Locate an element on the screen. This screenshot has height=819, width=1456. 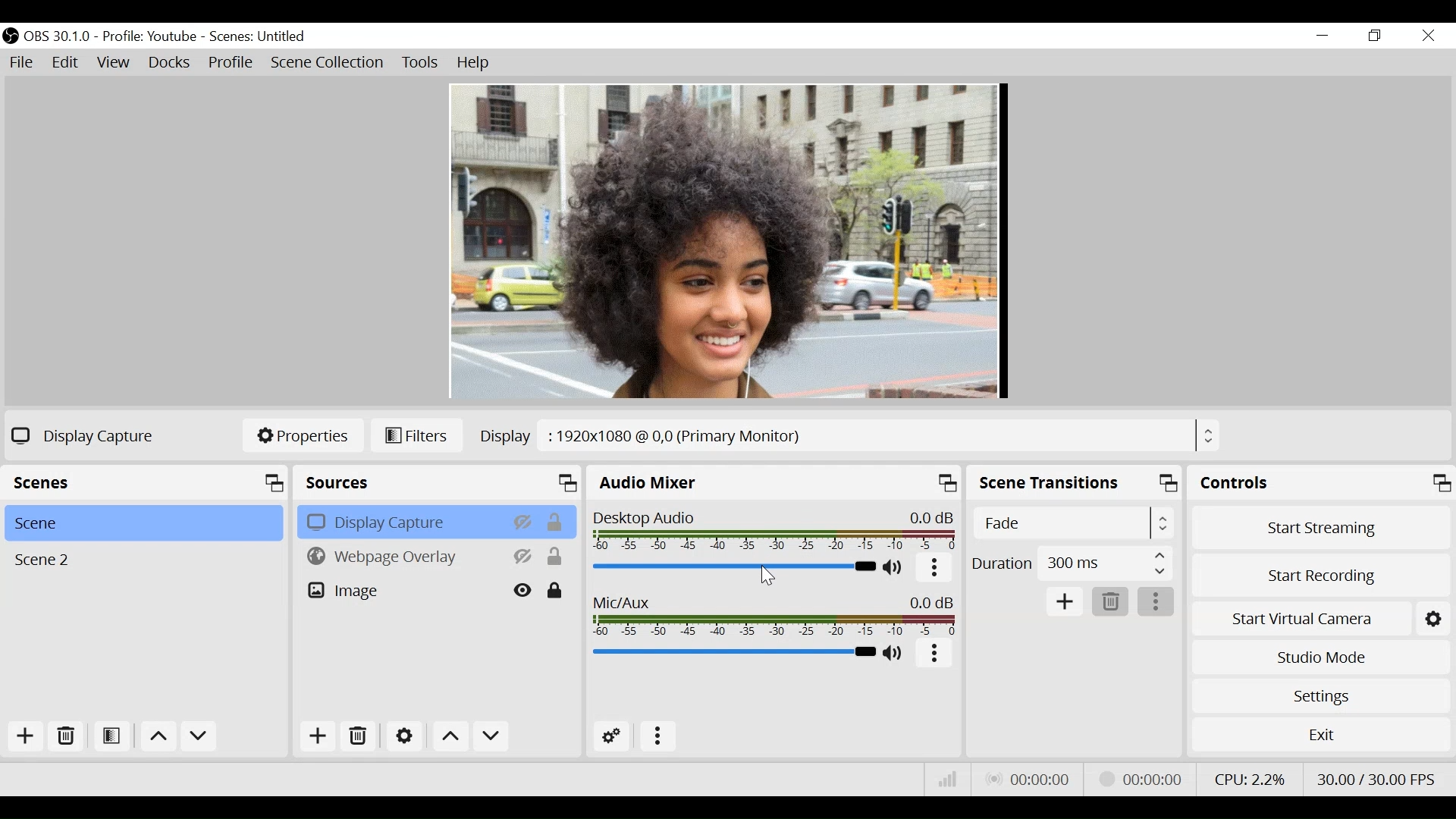
Delete is located at coordinates (360, 736).